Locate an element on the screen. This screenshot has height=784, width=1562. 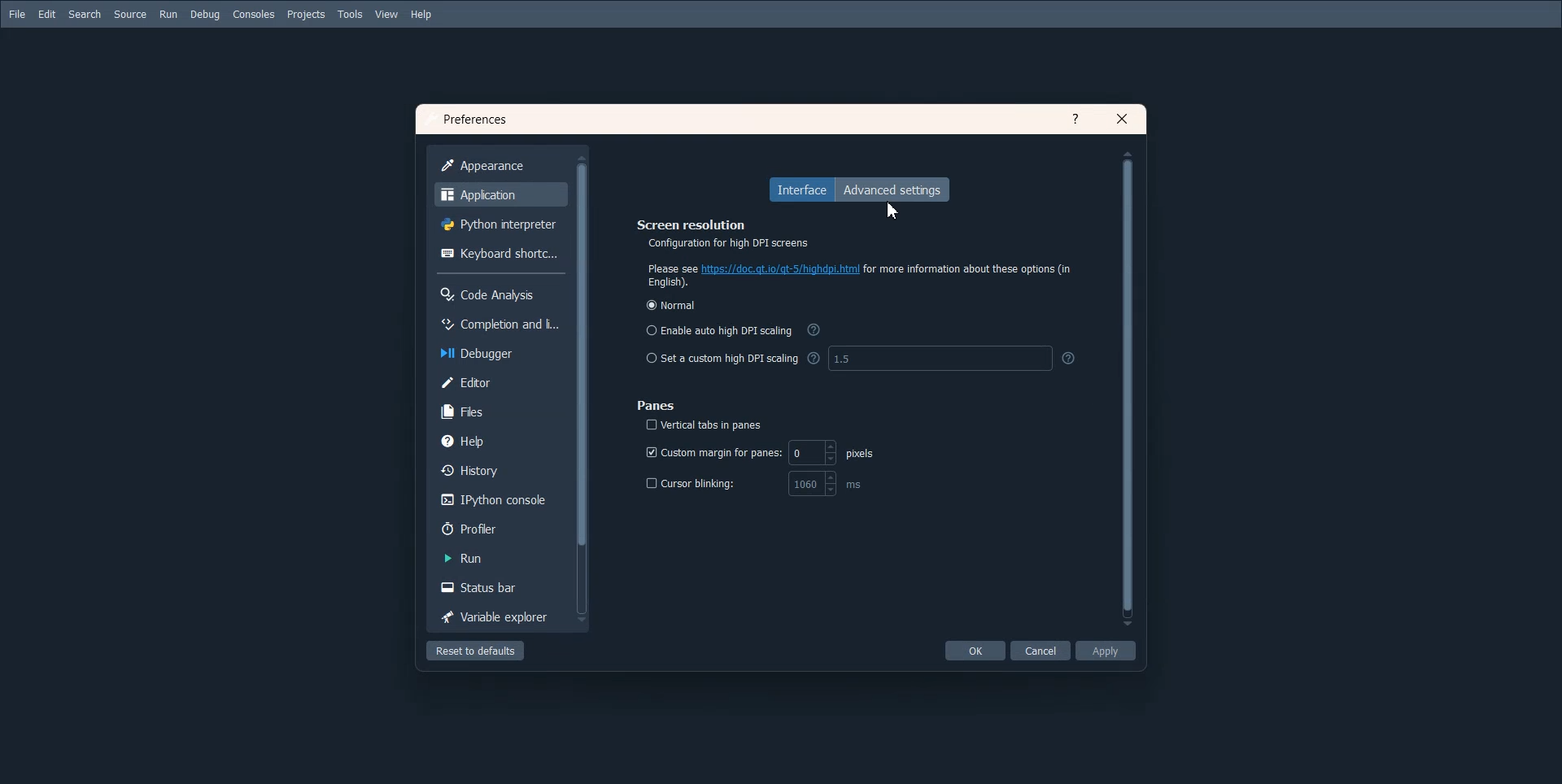
Edit is located at coordinates (46, 15).